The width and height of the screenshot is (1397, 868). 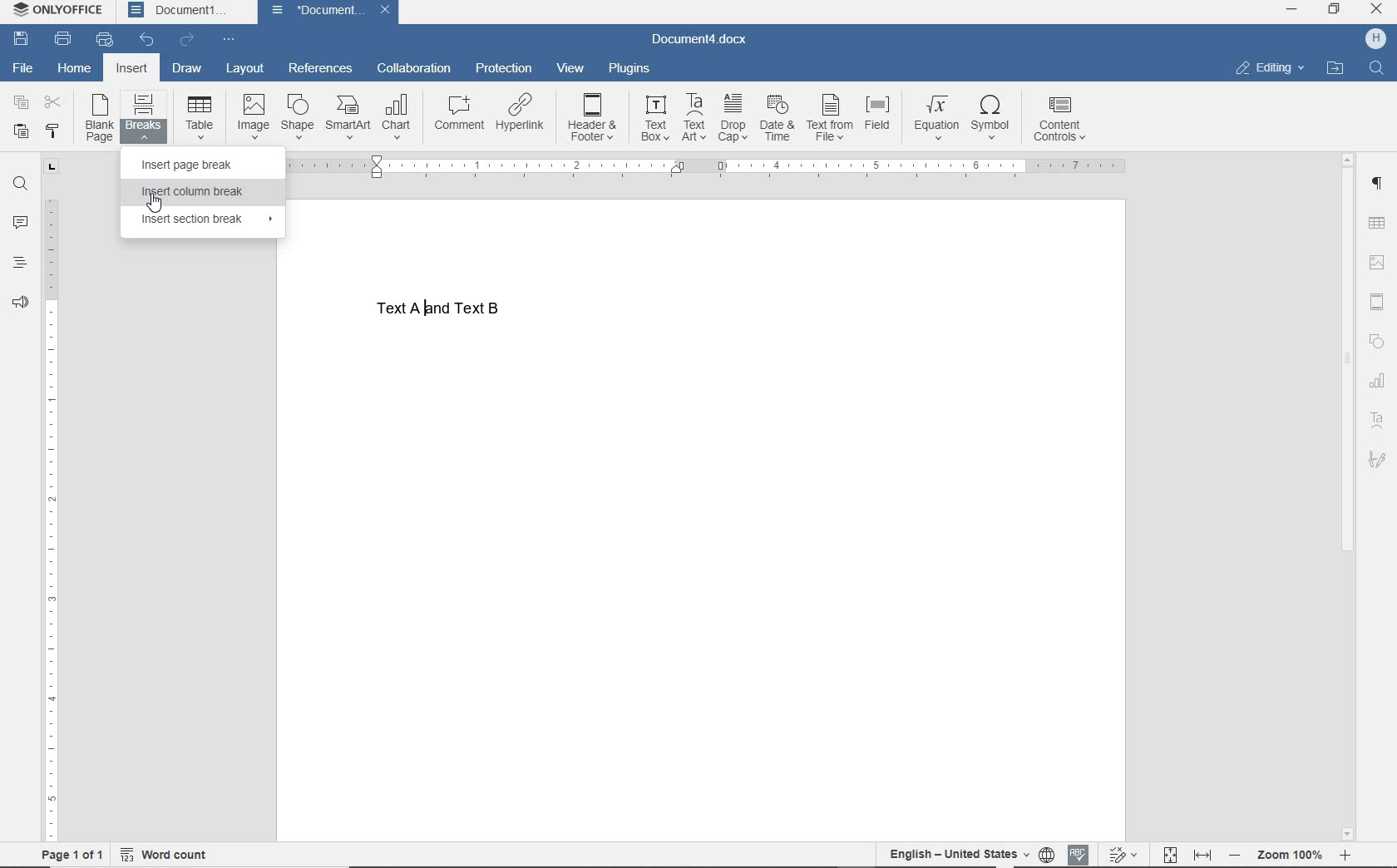 I want to click on TEXT FROM FILE, so click(x=830, y=123).